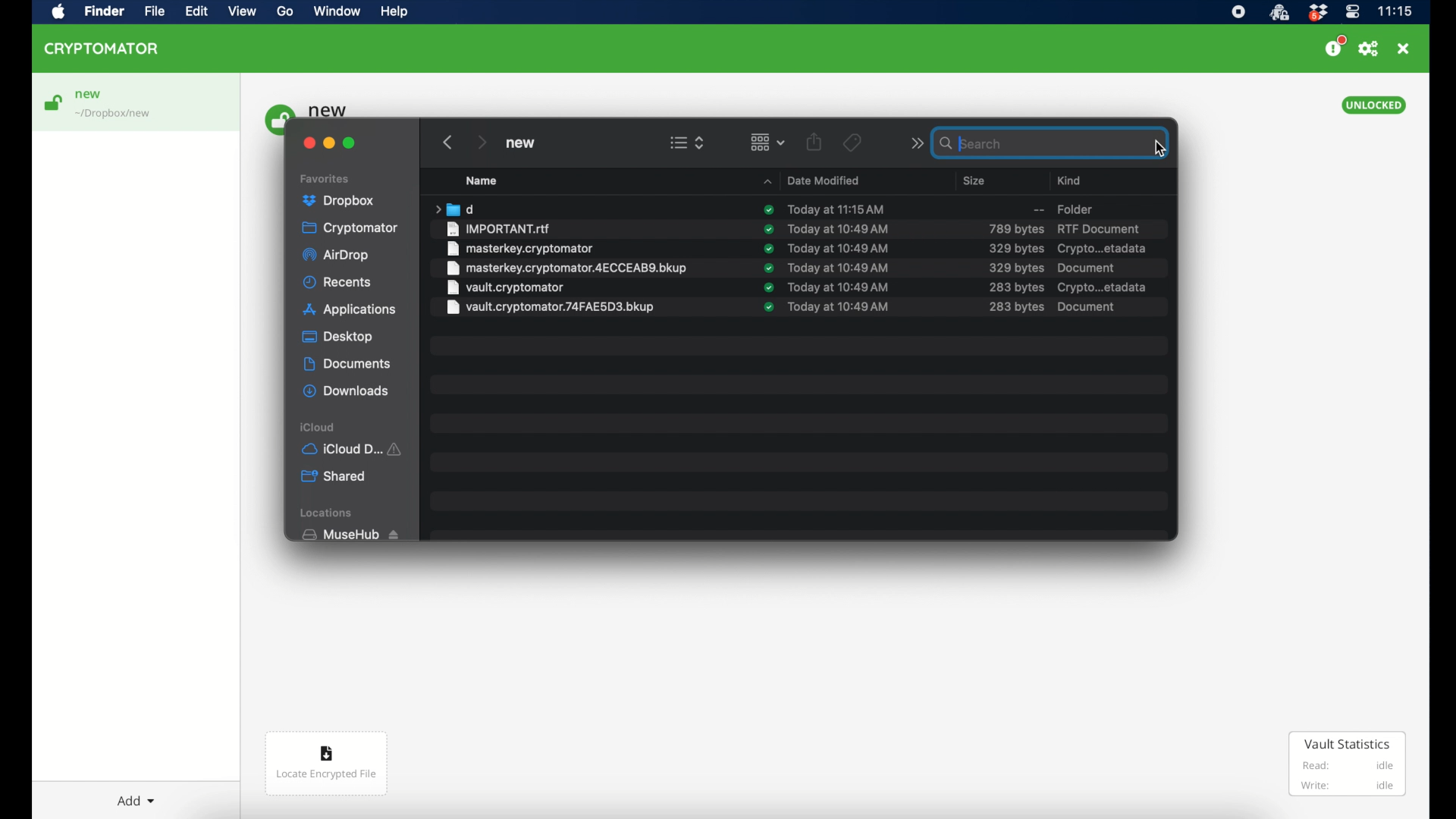 Image resolution: width=1456 pixels, height=819 pixels. I want to click on cursor, so click(1158, 148).